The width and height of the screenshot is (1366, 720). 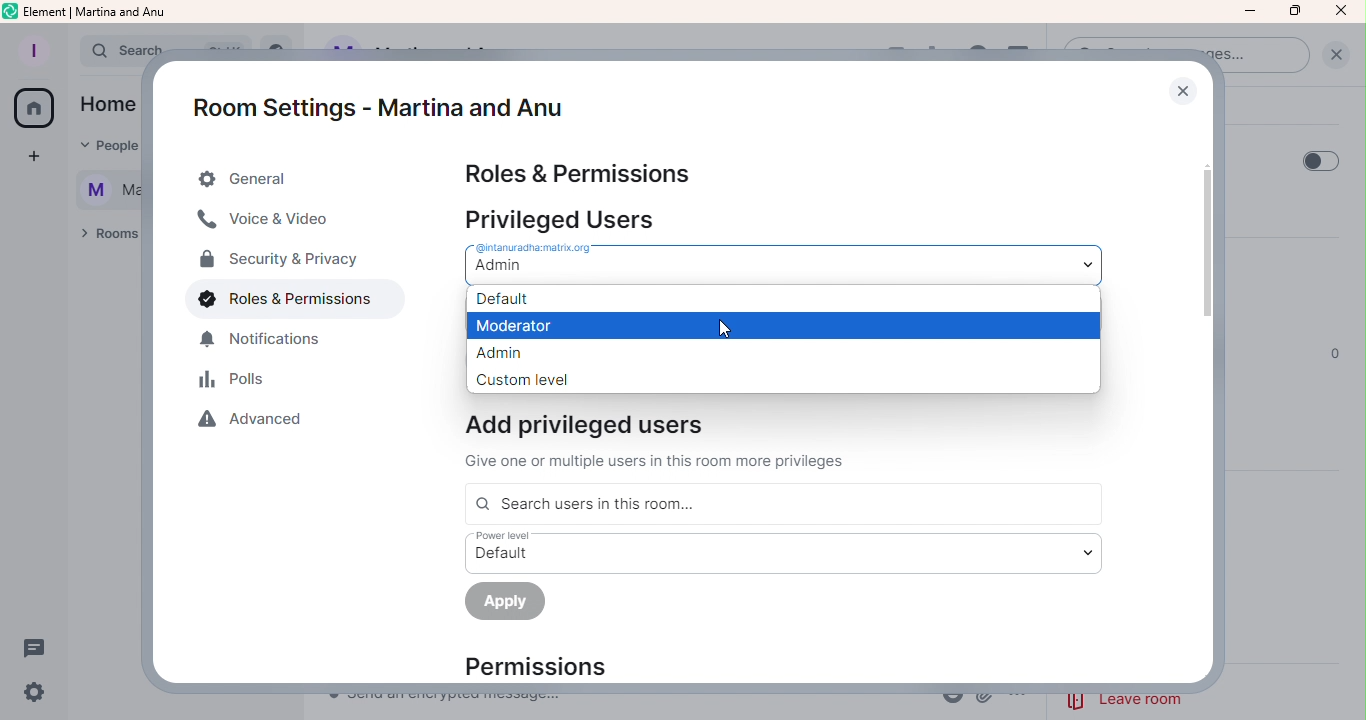 What do you see at coordinates (29, 157) in the screenshot?
I see `Create a space` at bounding box center [29, 157].